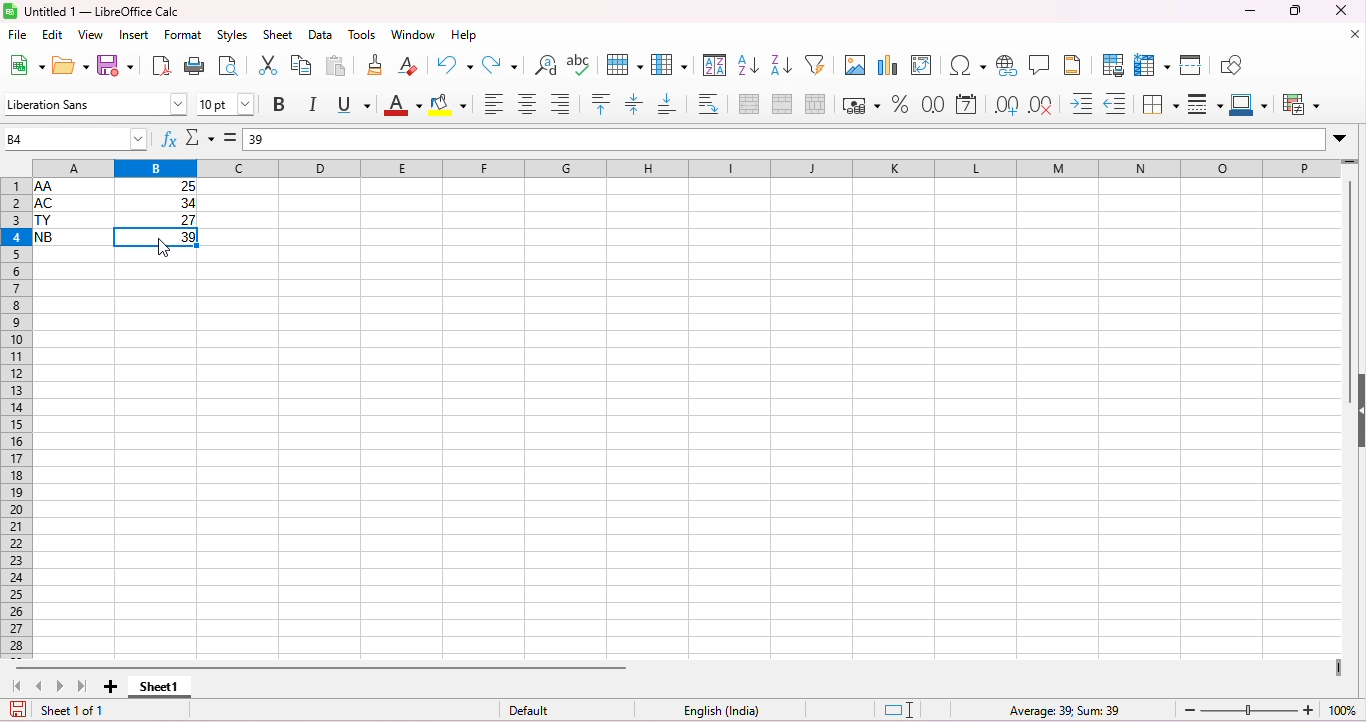 This screenshot has height=722, width=1366. I want to click on column headings, so click(680, 167).